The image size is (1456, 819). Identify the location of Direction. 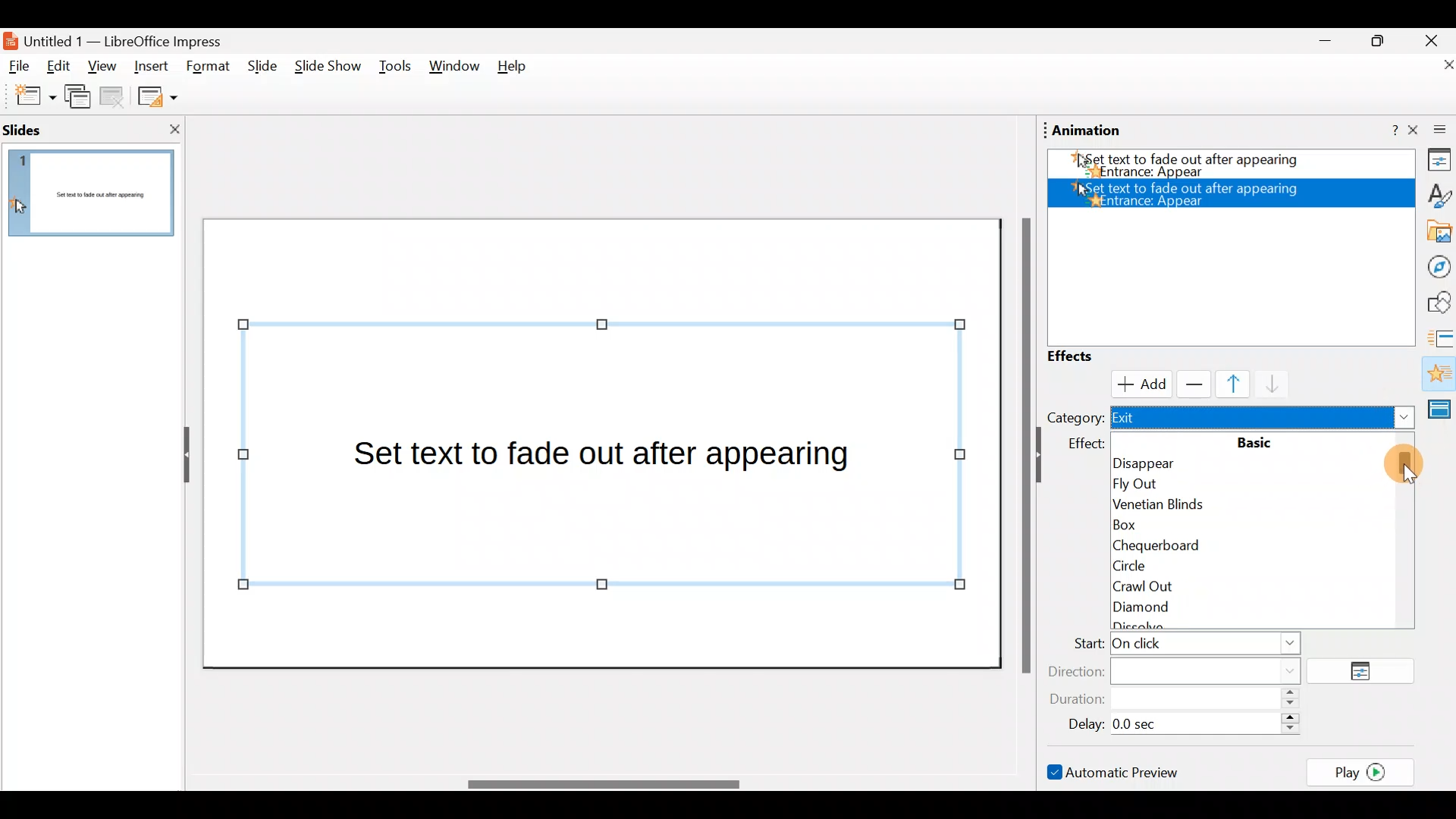
(1184, 670).